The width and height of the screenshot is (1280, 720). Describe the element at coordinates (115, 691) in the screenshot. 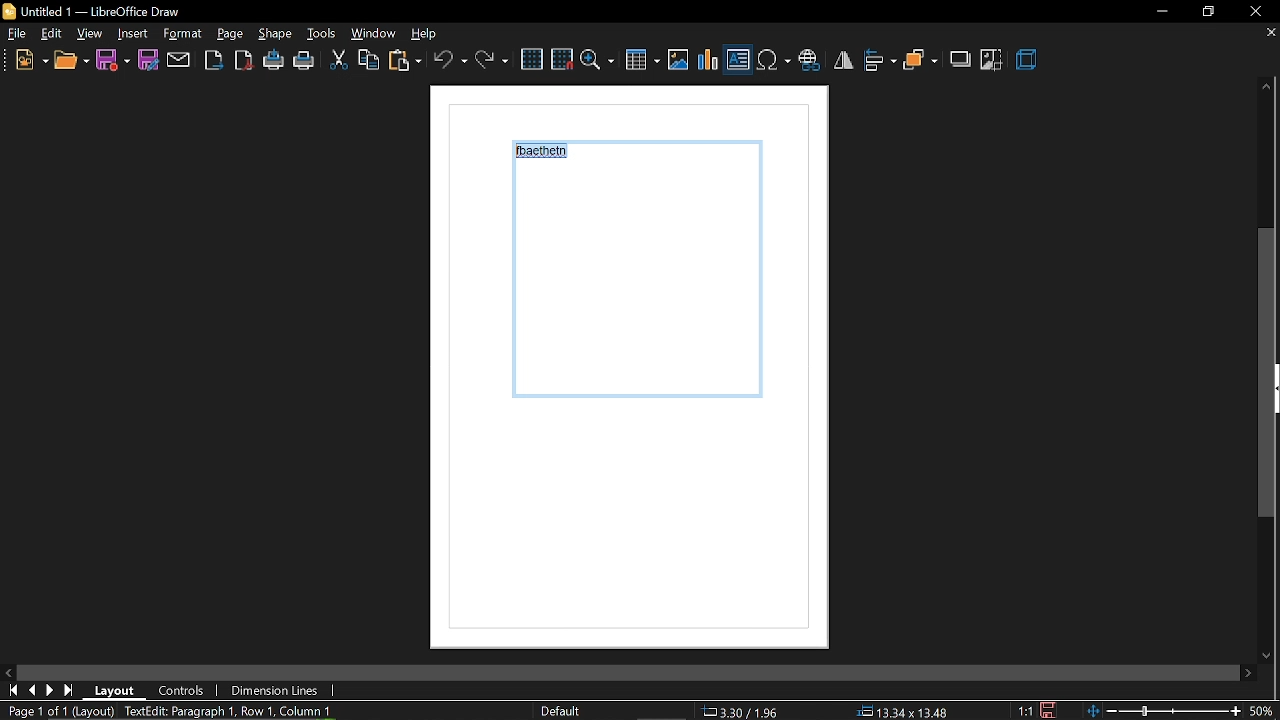

I see `layout` at that location.